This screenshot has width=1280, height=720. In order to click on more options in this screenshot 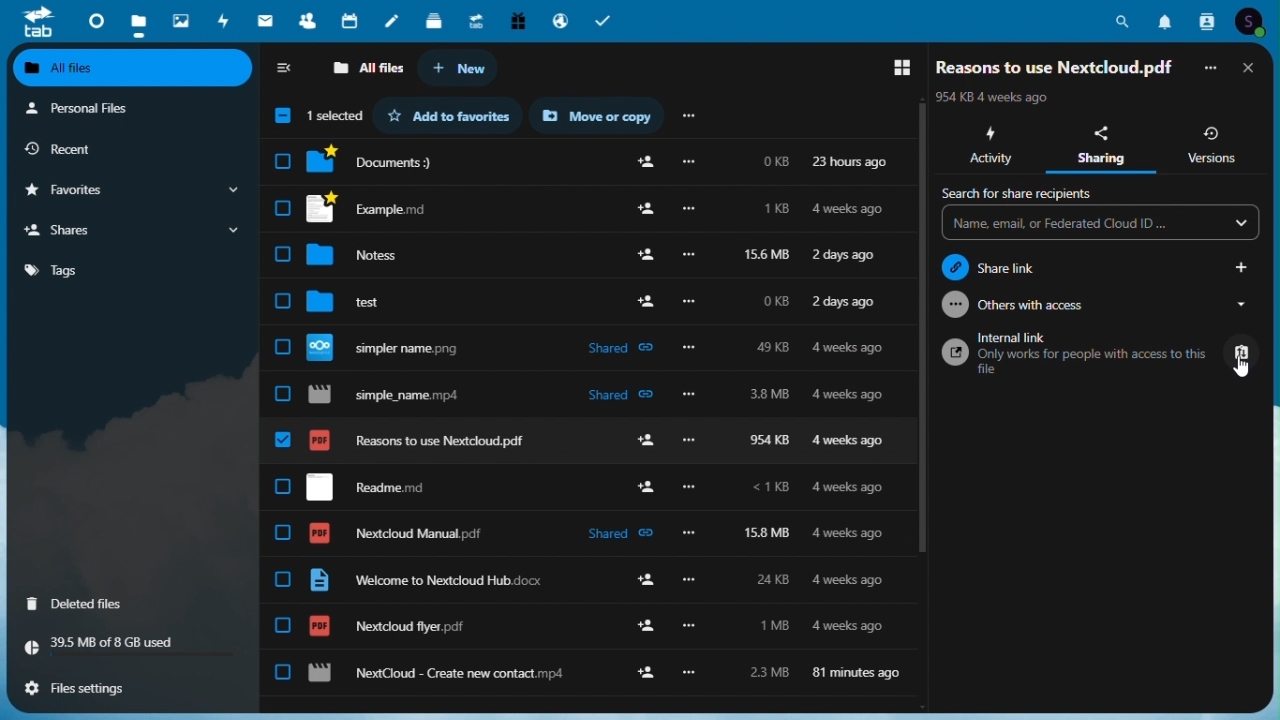, I will do `click(689, 580)`.